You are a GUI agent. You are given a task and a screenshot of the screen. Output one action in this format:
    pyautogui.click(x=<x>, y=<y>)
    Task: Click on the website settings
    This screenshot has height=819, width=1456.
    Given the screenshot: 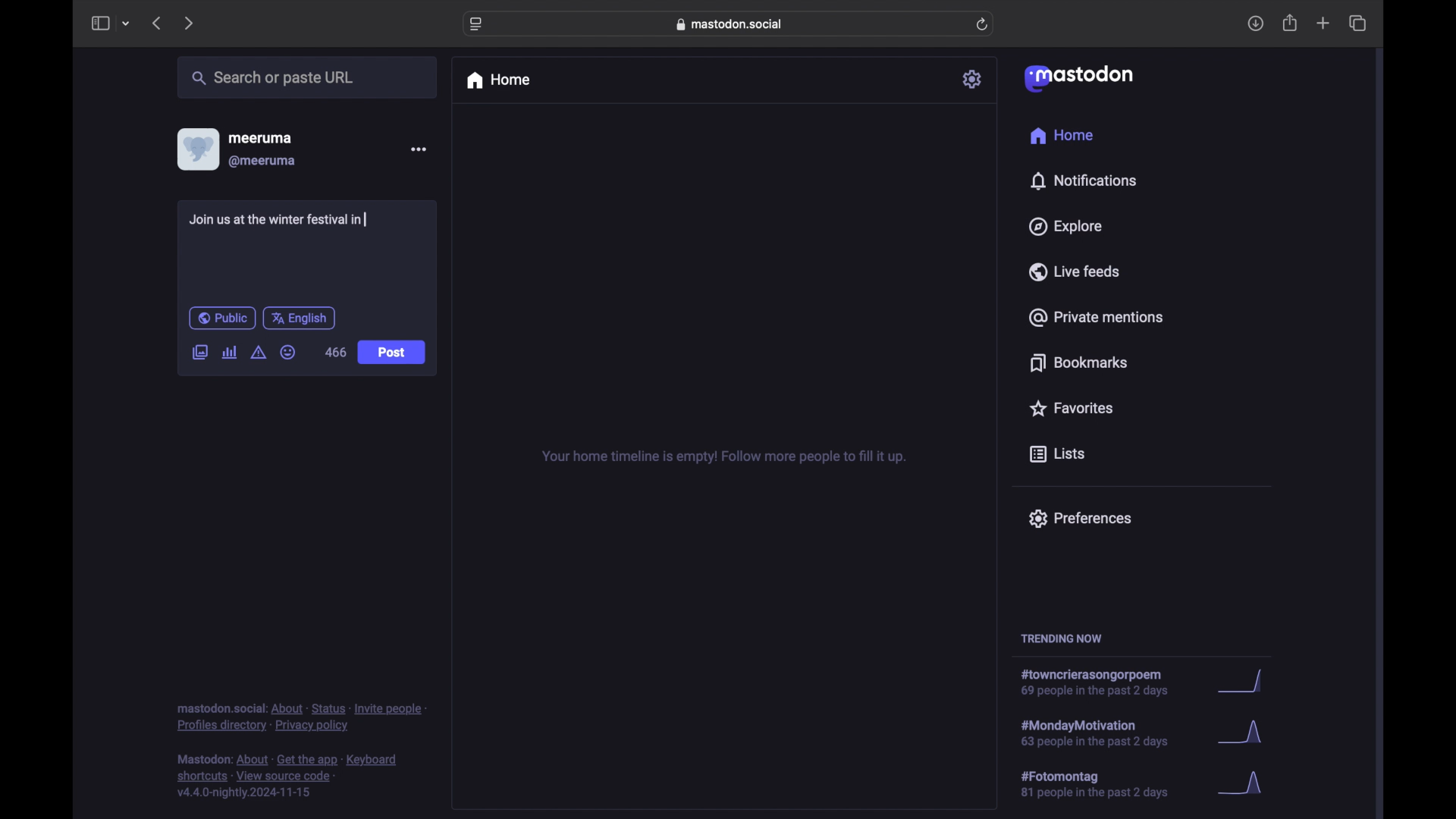 What is the action you would take?
    pyautogui.click(x=478, y=24)
    